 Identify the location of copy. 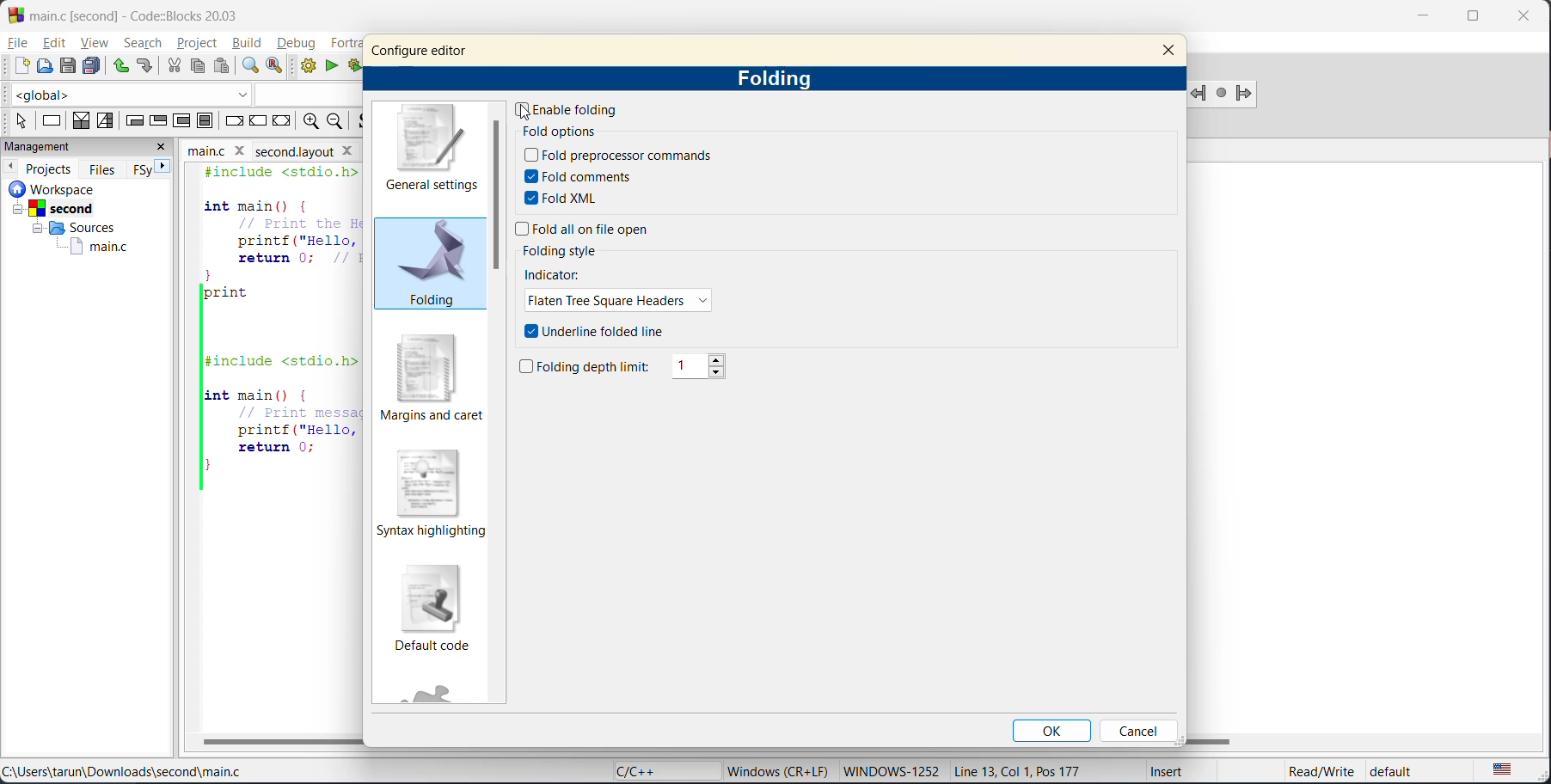
(199, 67).